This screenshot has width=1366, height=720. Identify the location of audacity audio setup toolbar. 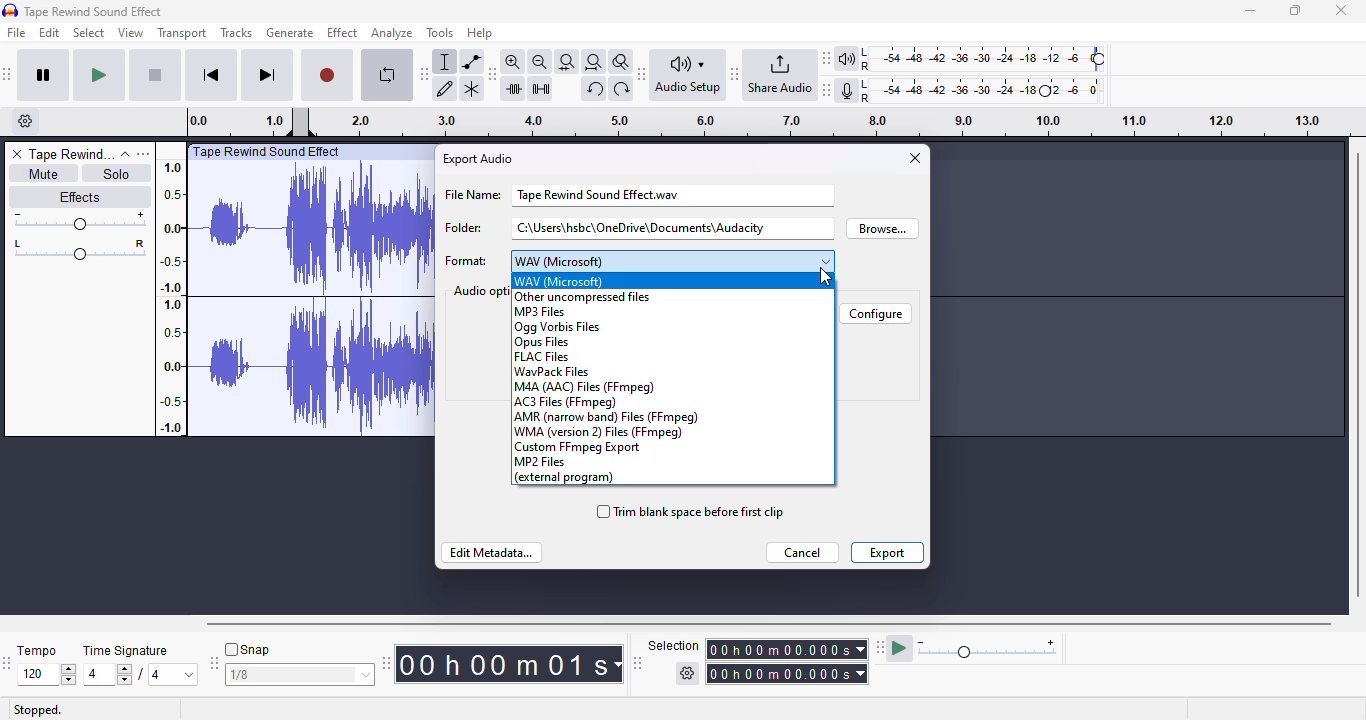
(682, 76).